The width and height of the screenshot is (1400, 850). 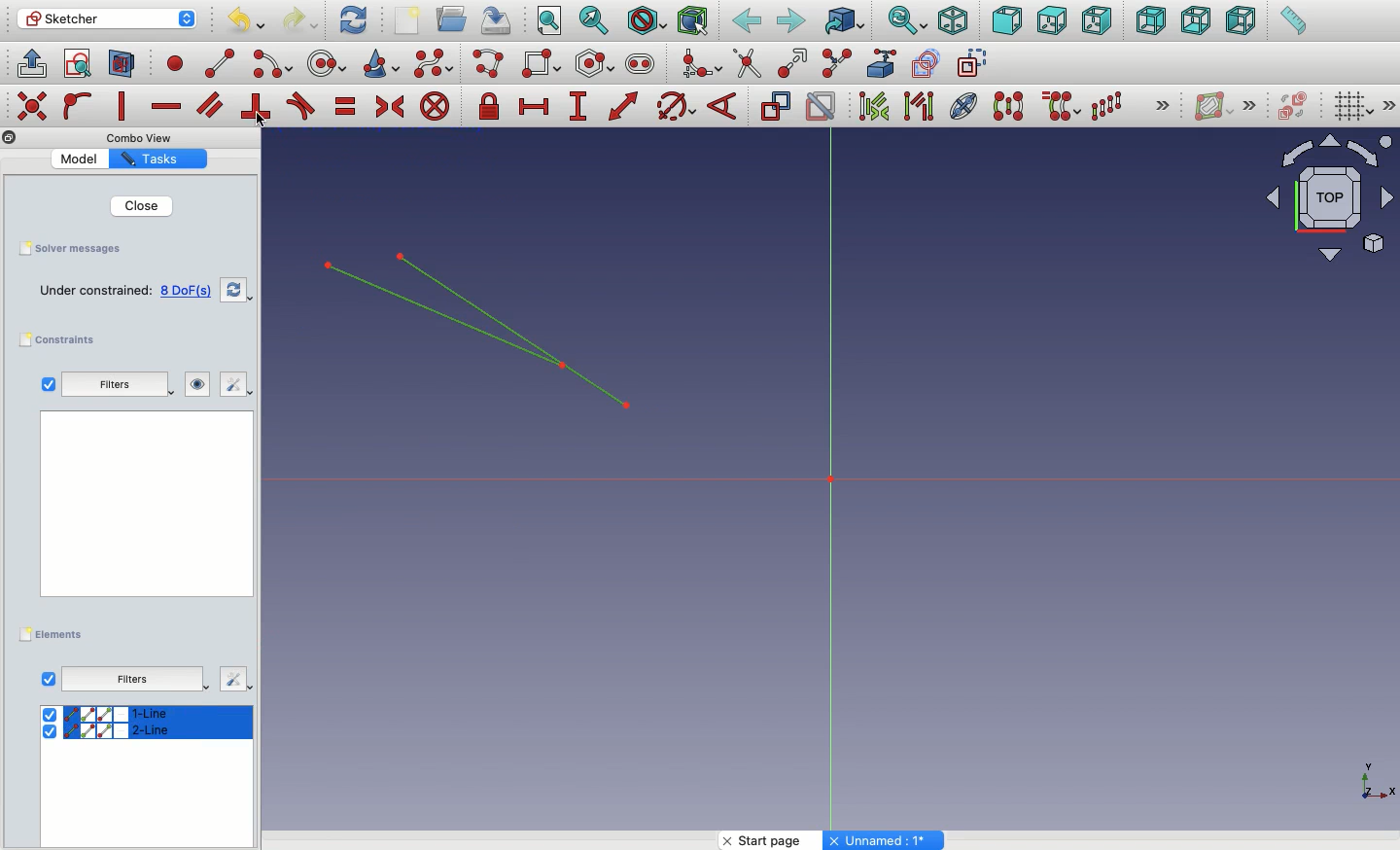 What do you see at coordinates (1007, 106) in the screenshot?
I see `Symmetry` at bounding box center [1007, 106].